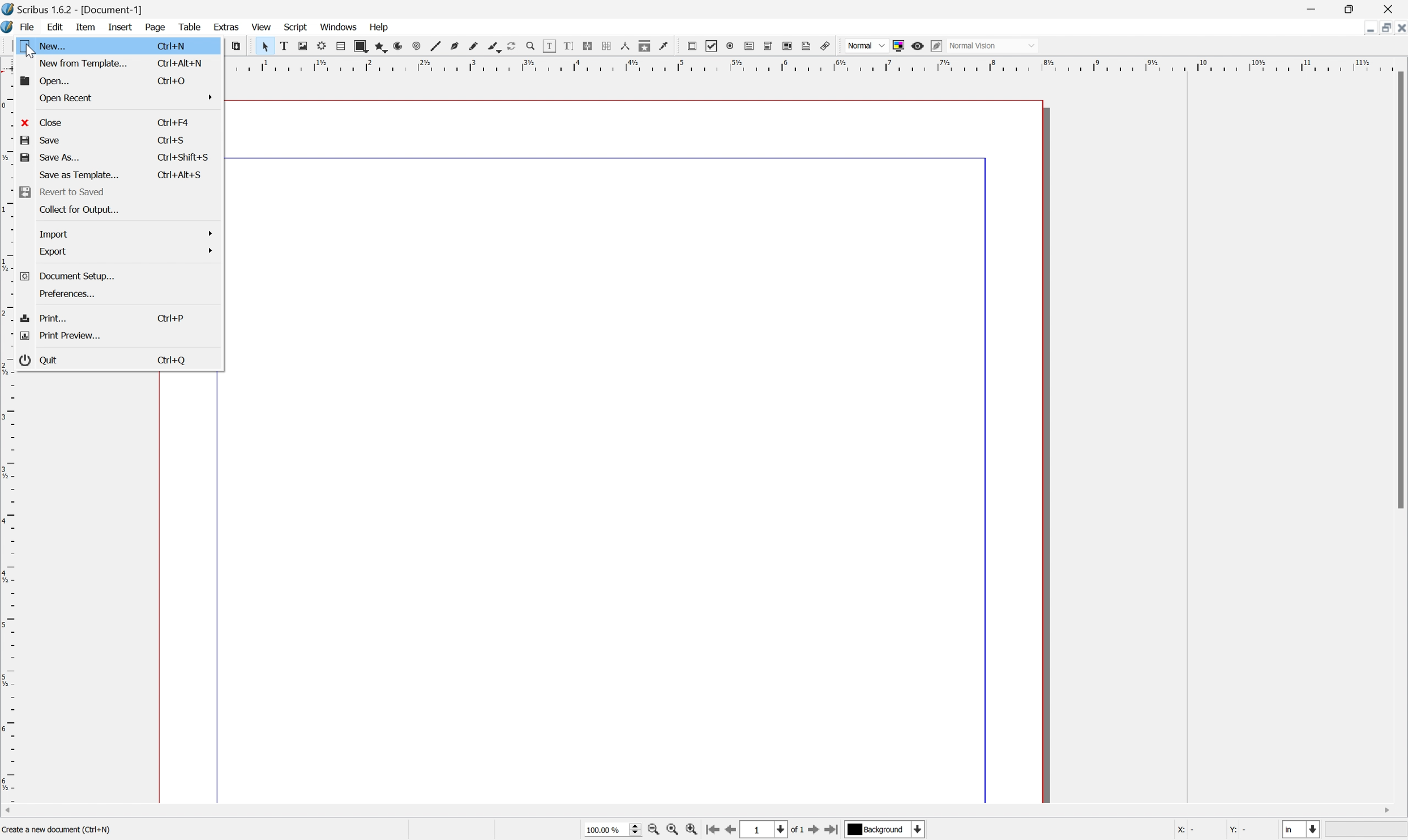 Image resolution: width=1408 pixels, height=840 pixels. What do you see at coordinates (919, 44) in the screenshot?
I see `Preview mode` at bounding box center [919, 44].